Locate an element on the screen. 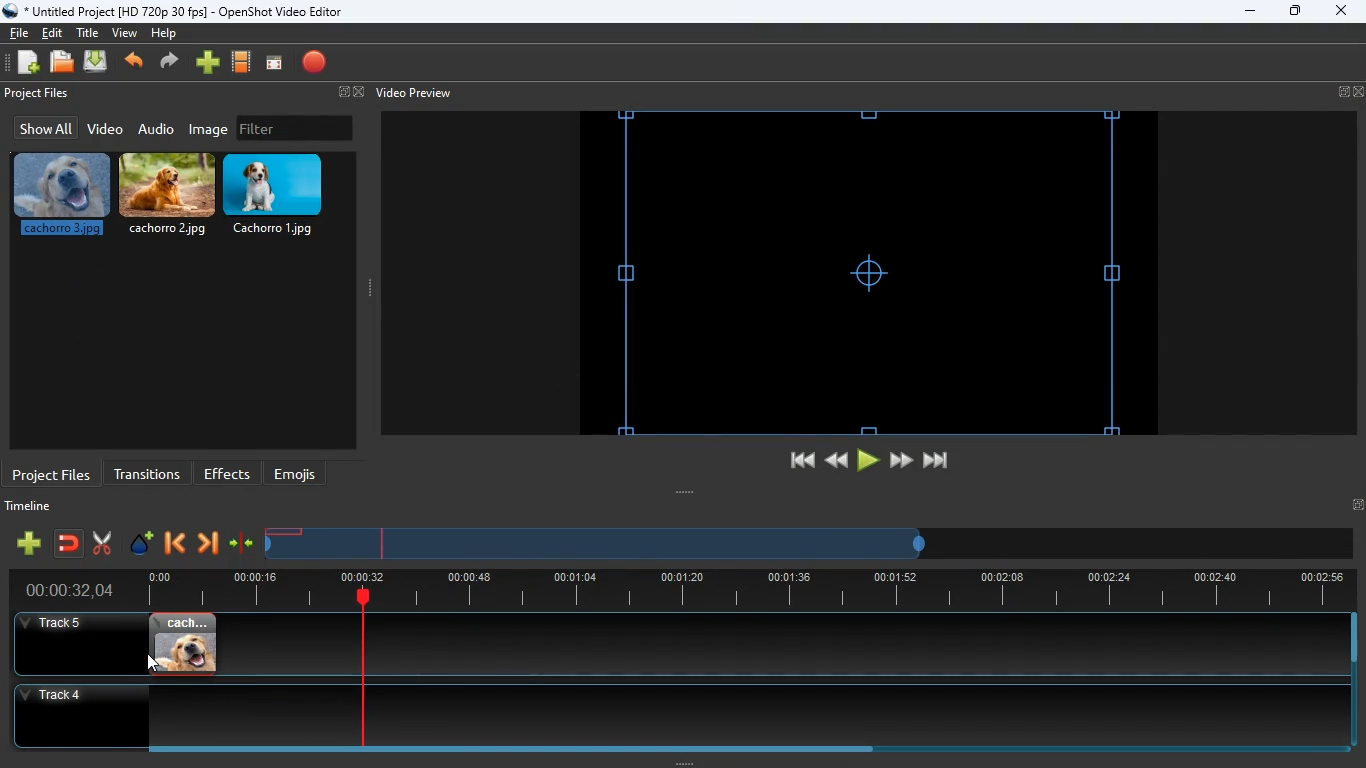 The width and height of the screenshot is (1366, 768). view is located at coordinates (126, 33).